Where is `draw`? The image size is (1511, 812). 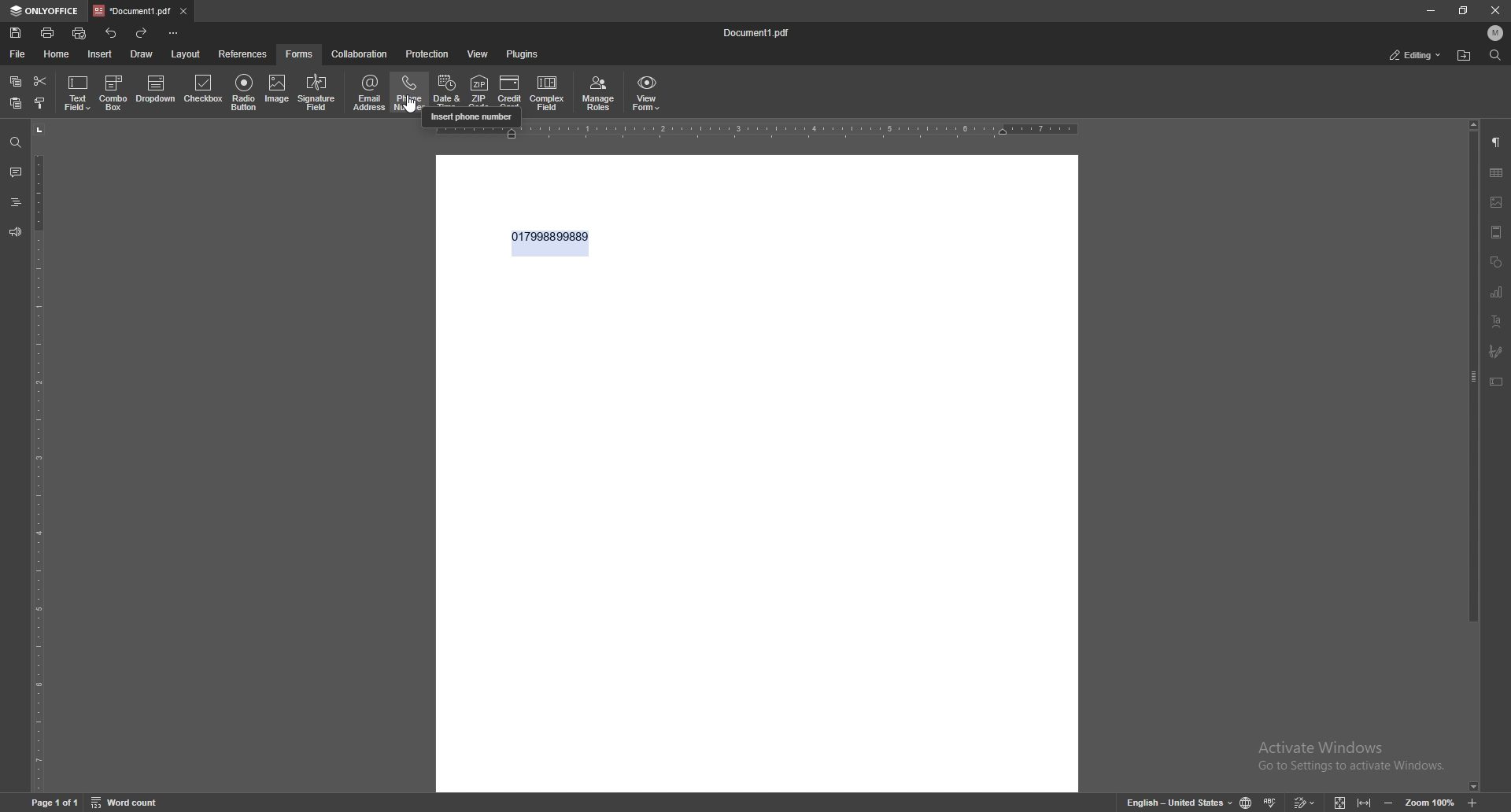
draw is located at coordinates (142, 54).